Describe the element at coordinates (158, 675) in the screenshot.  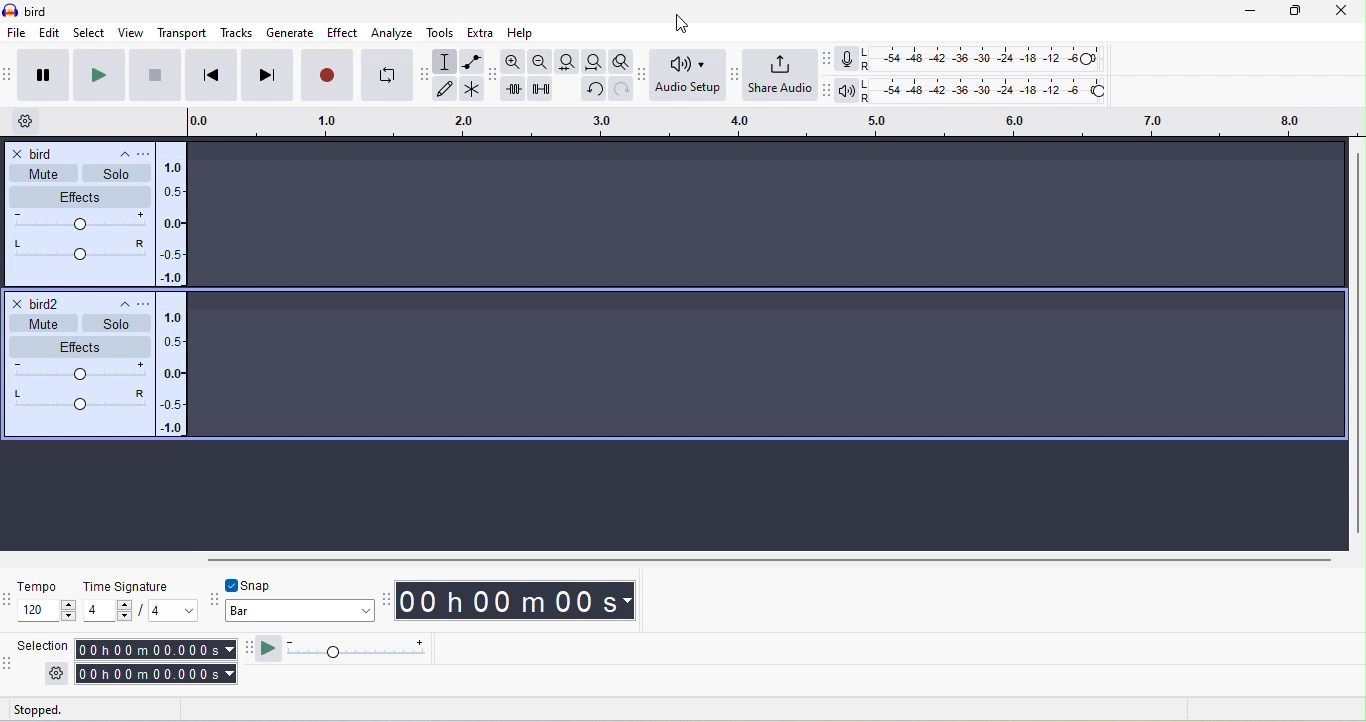
I see `00 h 00 m 08 .332 s` at that location.